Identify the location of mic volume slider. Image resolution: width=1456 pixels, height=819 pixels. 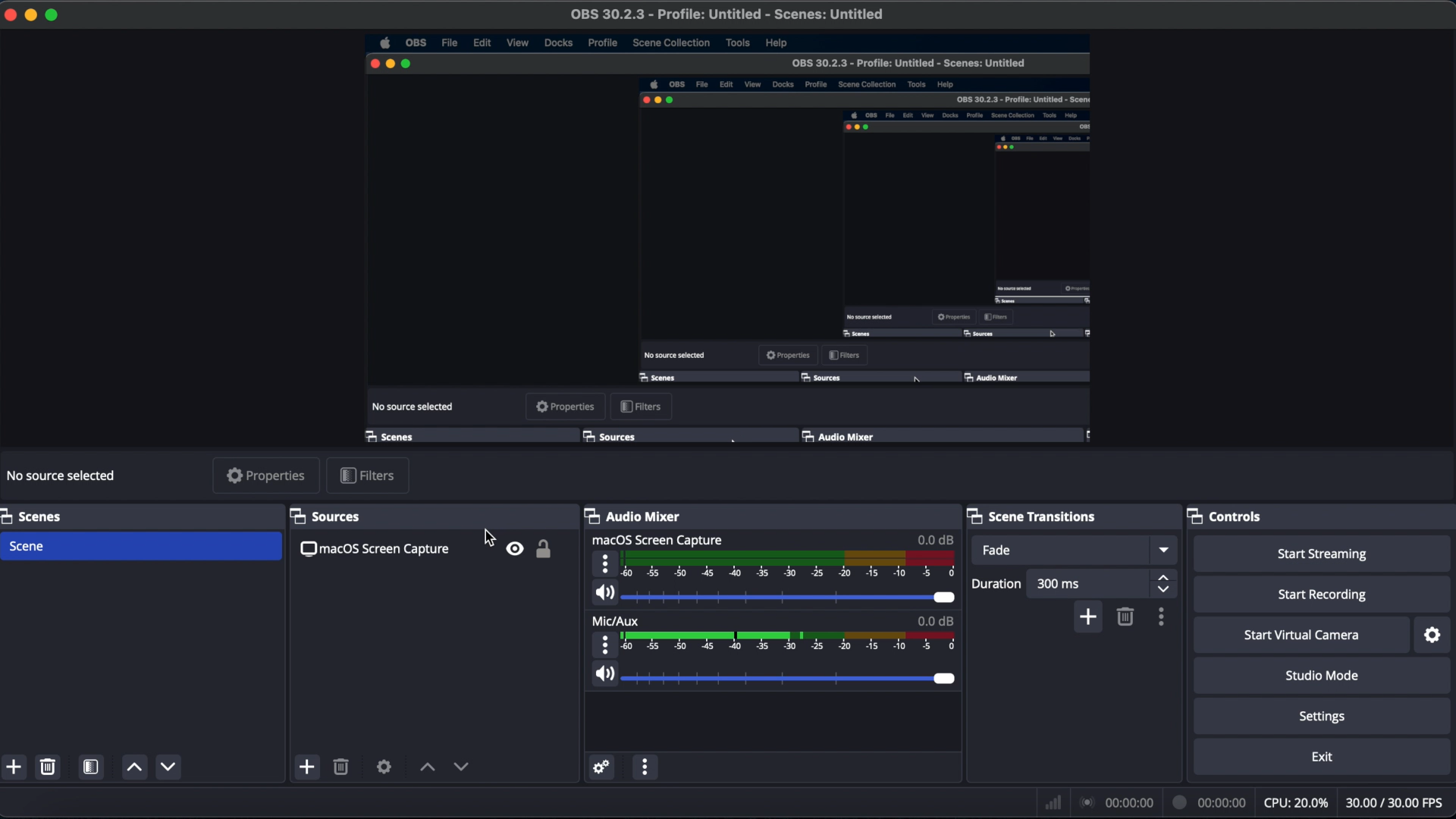
(776, 677).